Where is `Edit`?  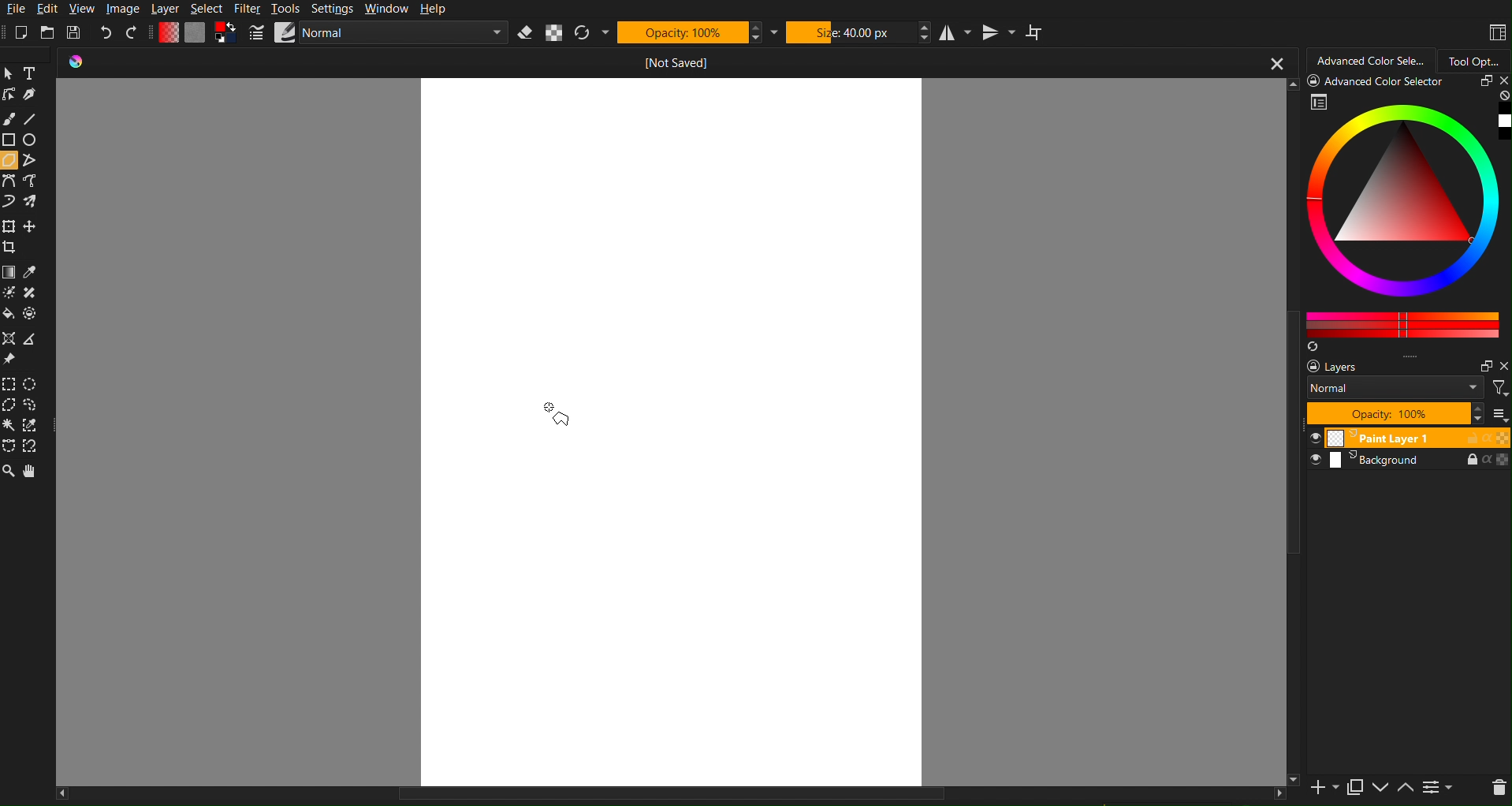 Edit is located at coordinates (49, 9).